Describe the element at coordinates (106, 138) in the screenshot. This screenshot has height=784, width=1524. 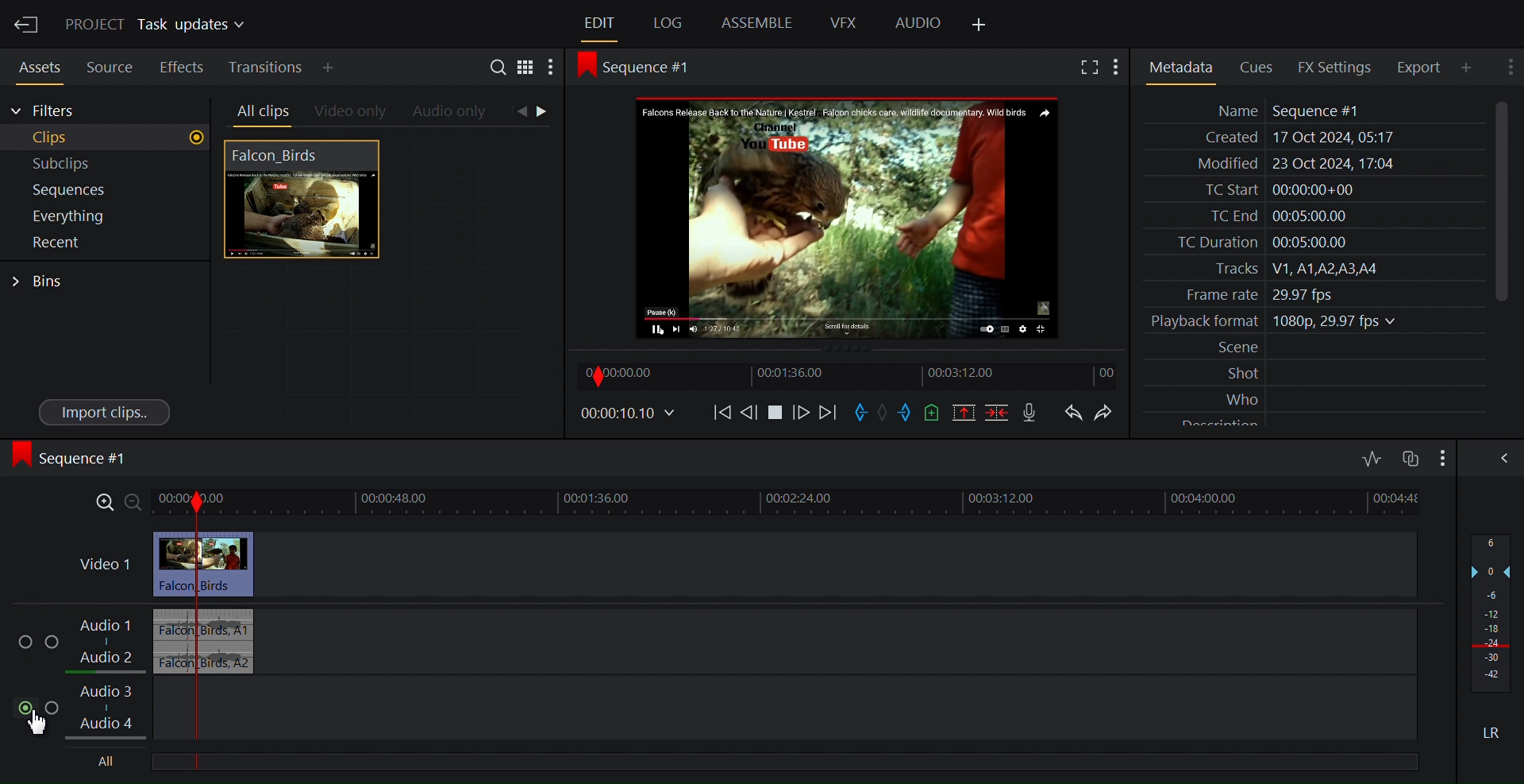
I see `Clips` at that location.